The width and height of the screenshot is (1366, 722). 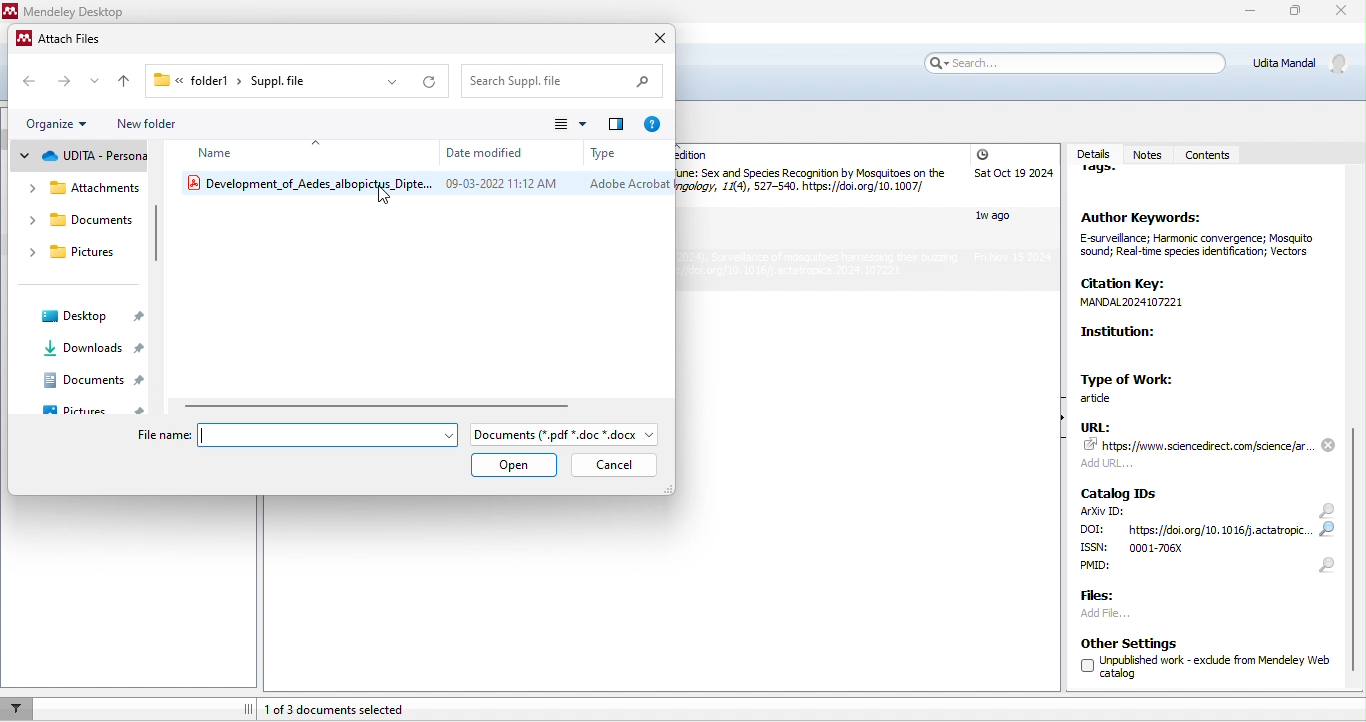 I want to click on tags, so click(x=1107, y=176).